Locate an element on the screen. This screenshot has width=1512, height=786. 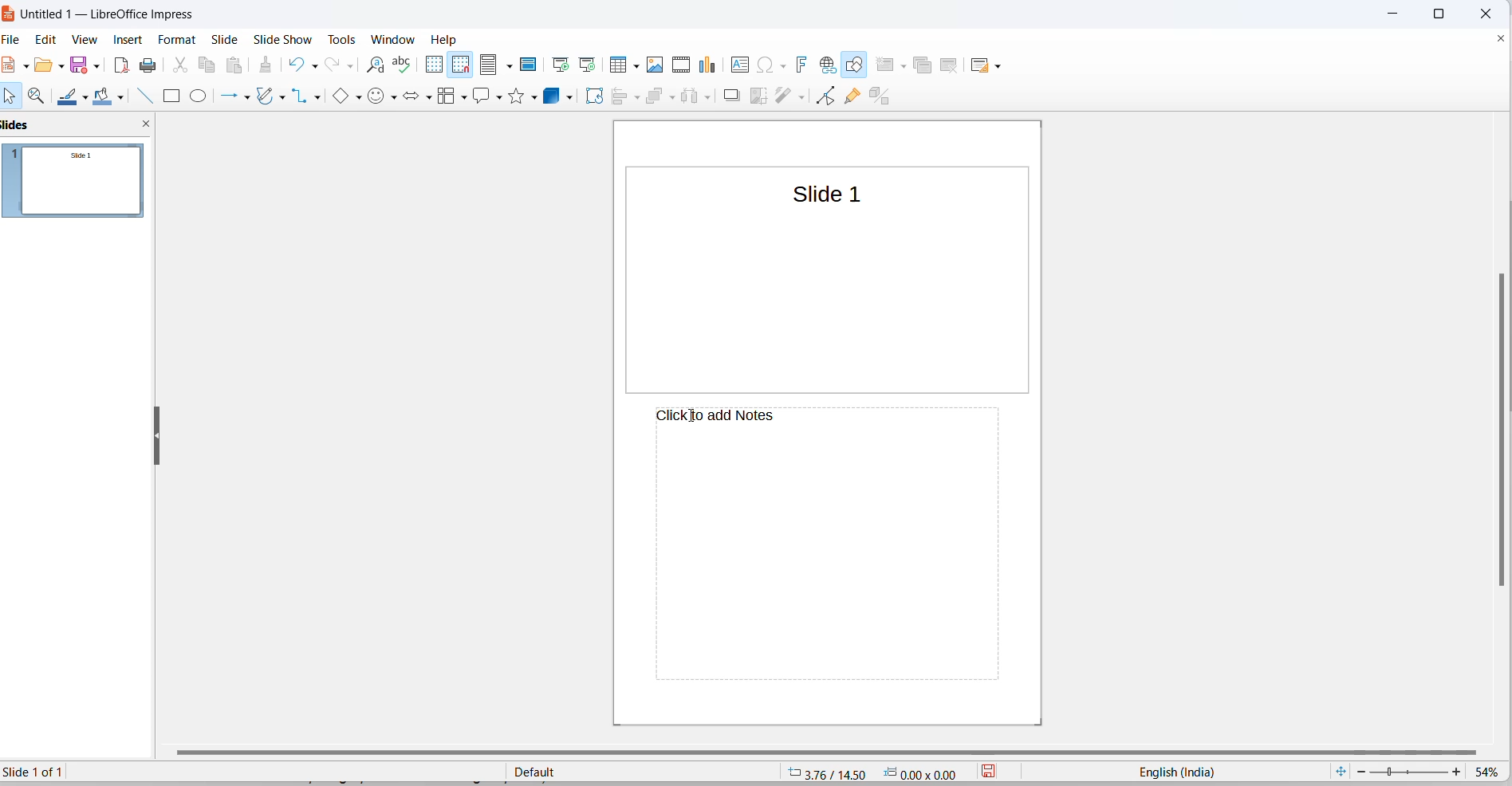
current slide is located at coordinates (41, 772).